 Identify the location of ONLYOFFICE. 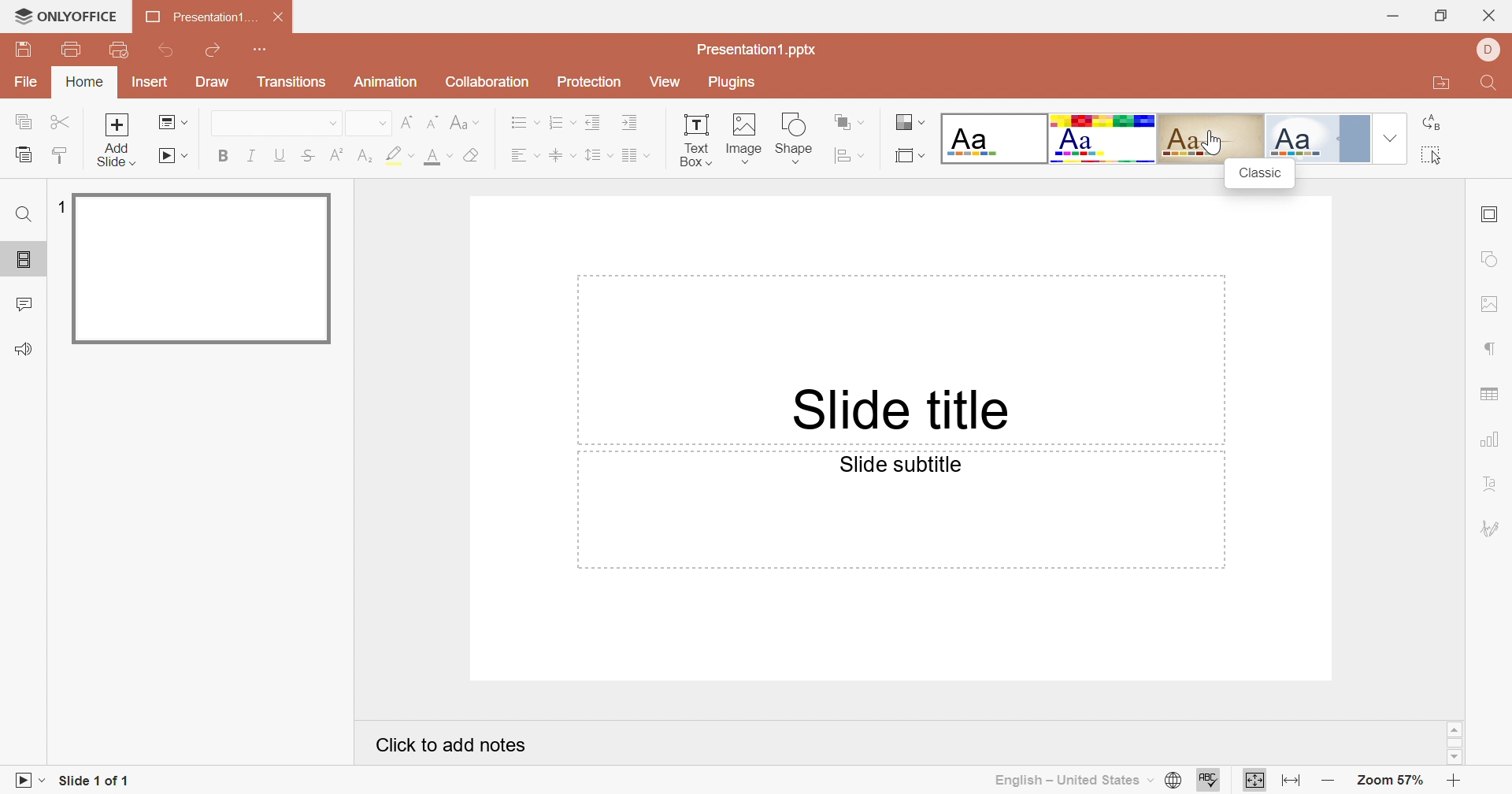
(61, 16).